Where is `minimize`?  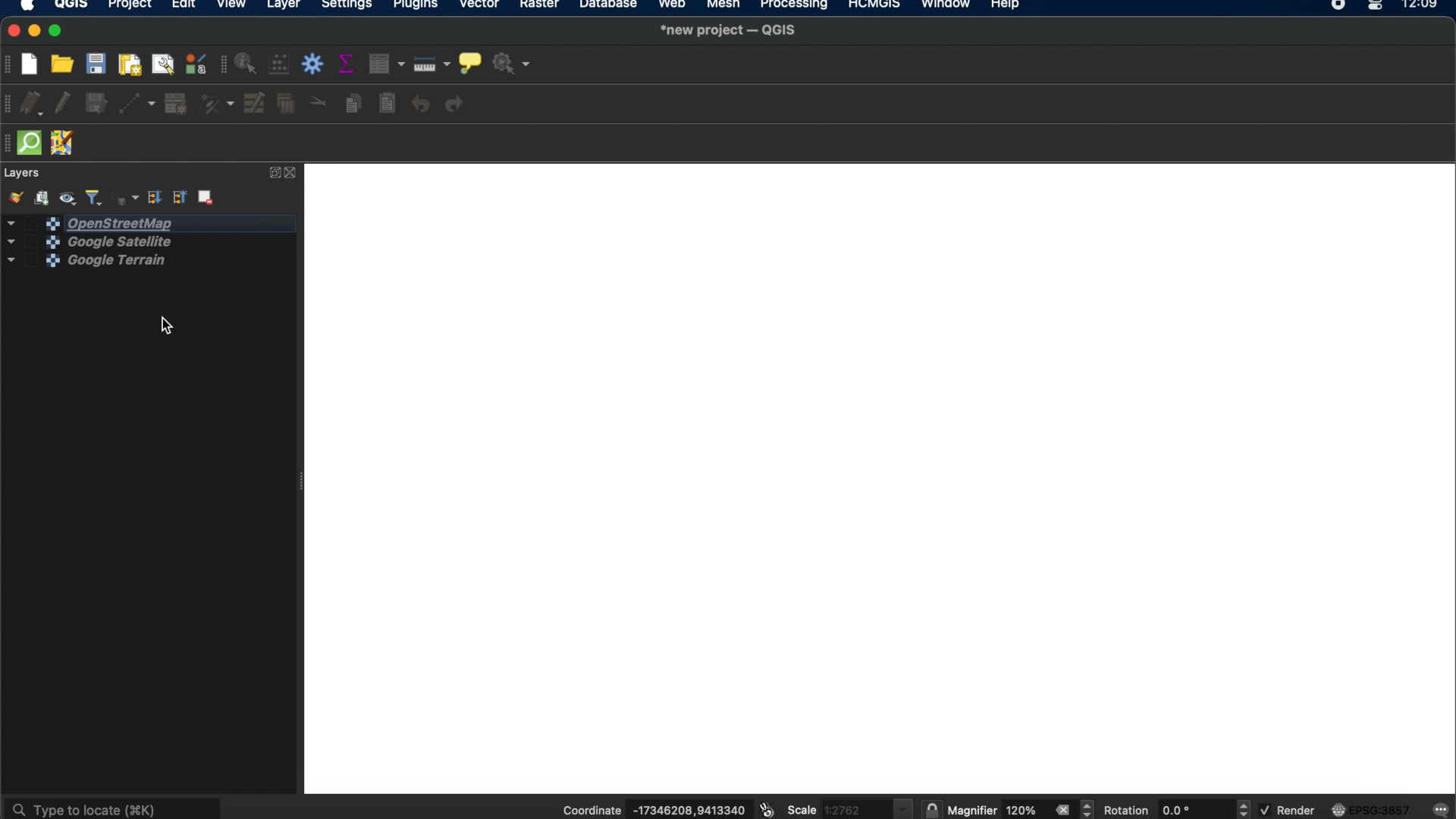 minimize is located at coordinates (36, 31).